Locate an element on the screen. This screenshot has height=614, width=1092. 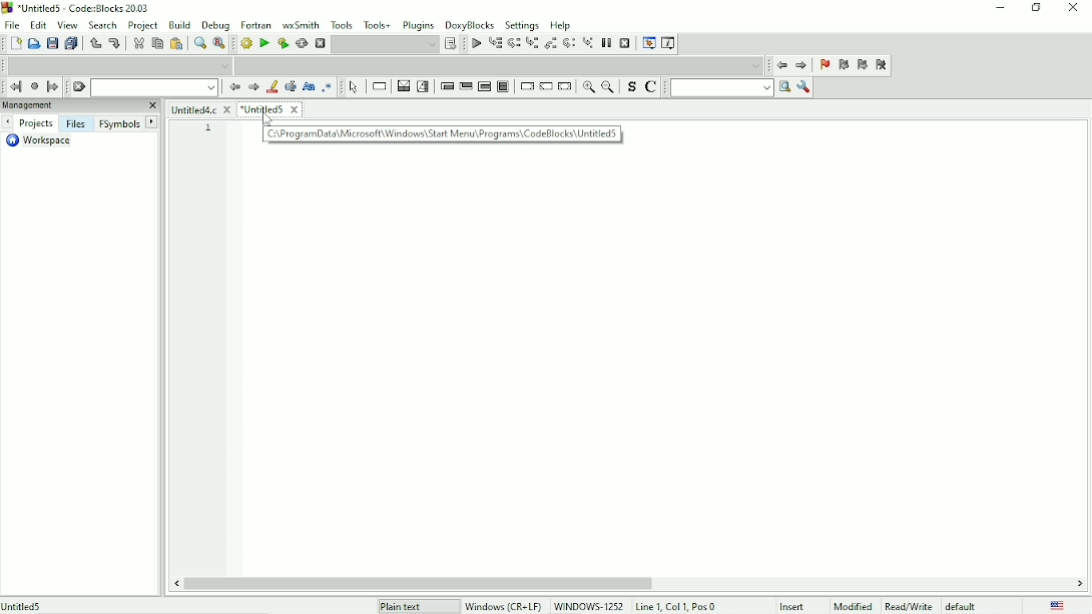
Debug is located at coordinates (215, 25).